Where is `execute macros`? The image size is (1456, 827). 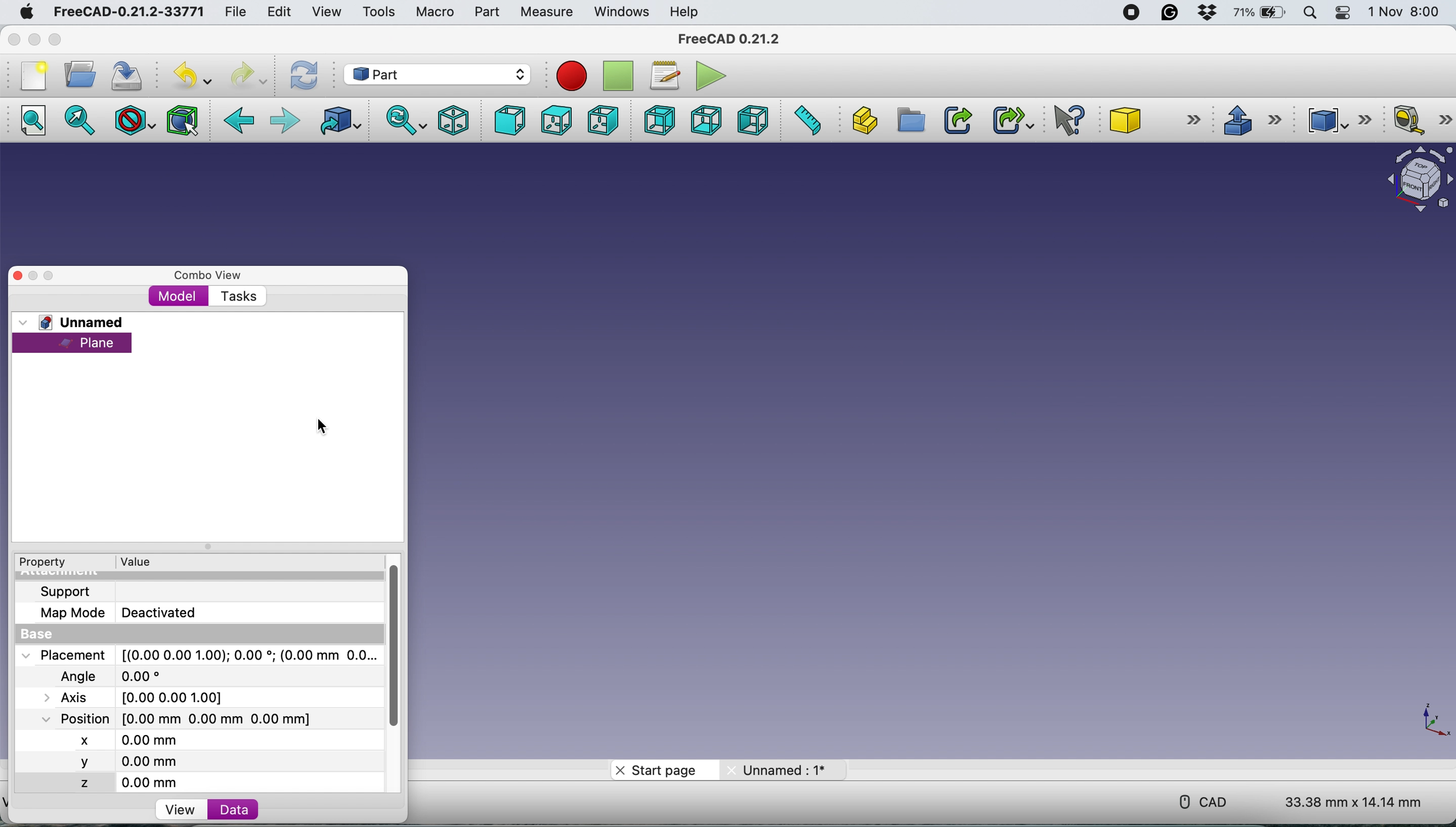
execute macros is located at coordinates (713, 76).